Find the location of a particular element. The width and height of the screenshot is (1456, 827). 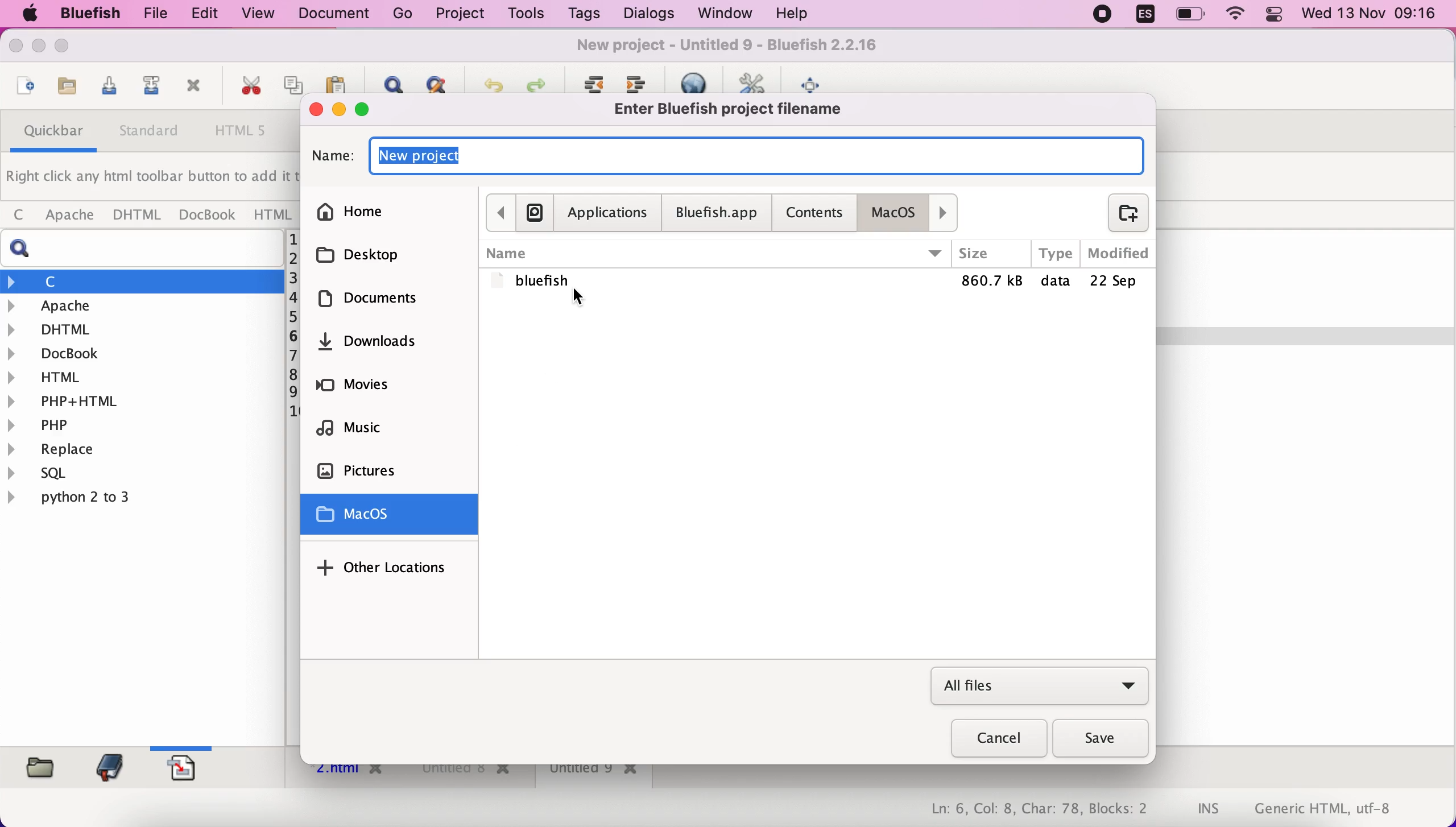

ins is located at coordinates (1209, 810).